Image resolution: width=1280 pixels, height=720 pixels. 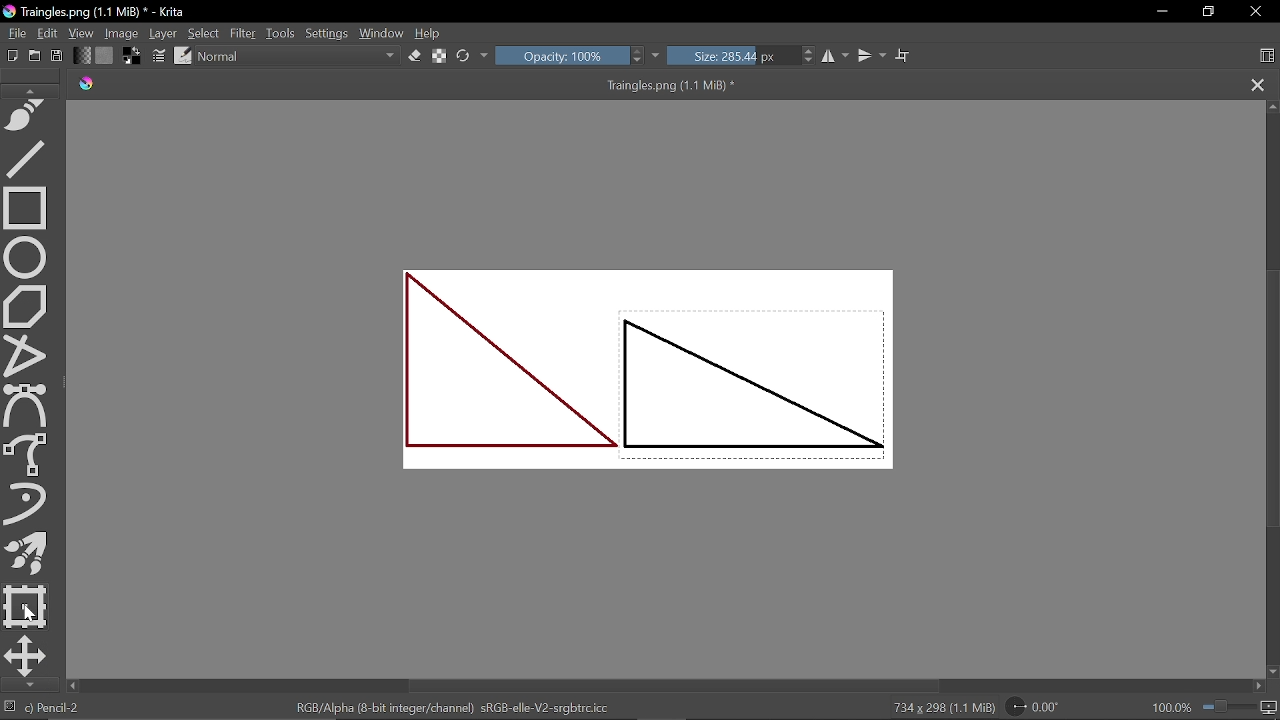 I want to click on Move down in tools, so click(x=26, y=685).